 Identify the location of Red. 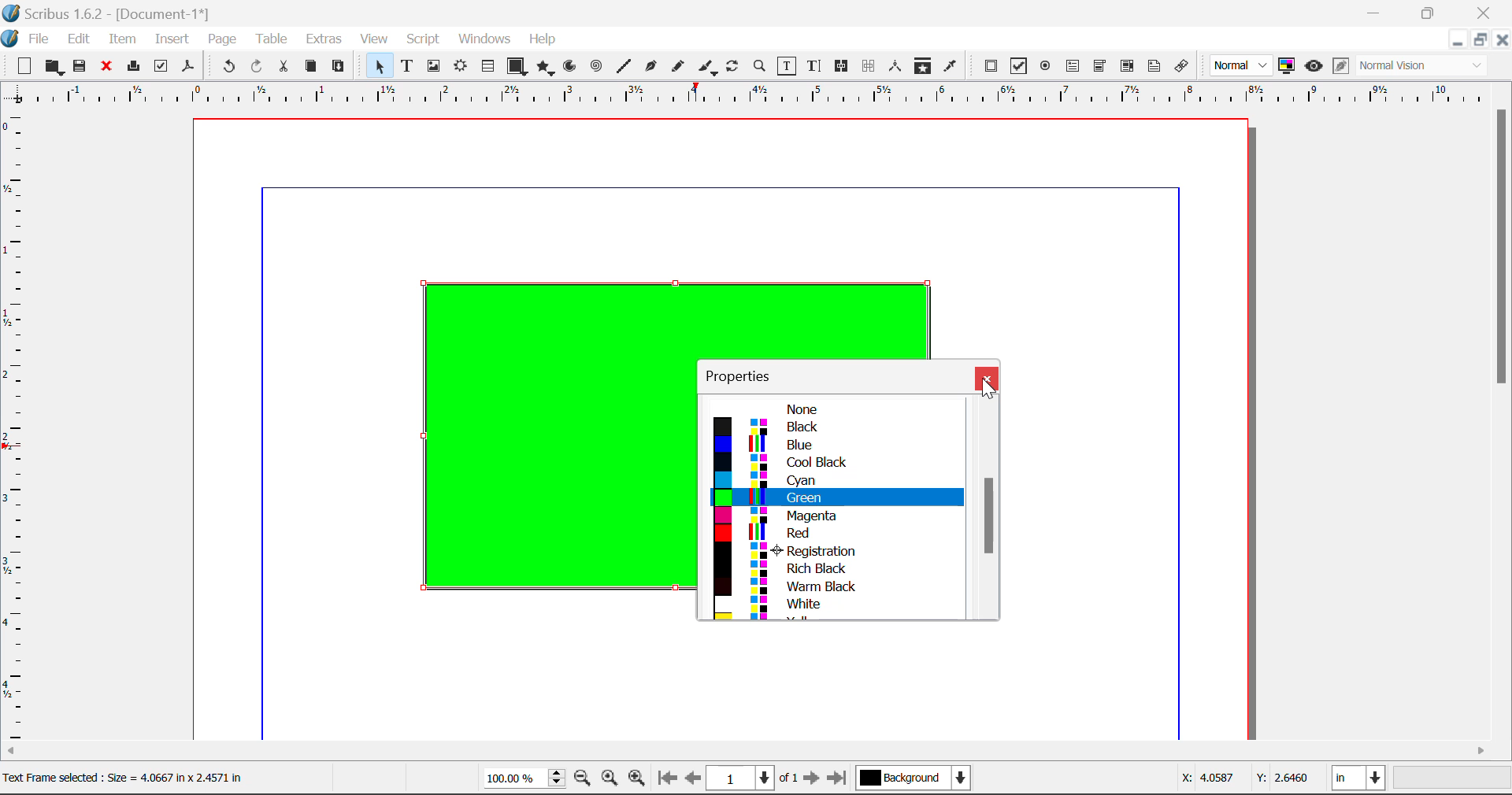
(835, 533).